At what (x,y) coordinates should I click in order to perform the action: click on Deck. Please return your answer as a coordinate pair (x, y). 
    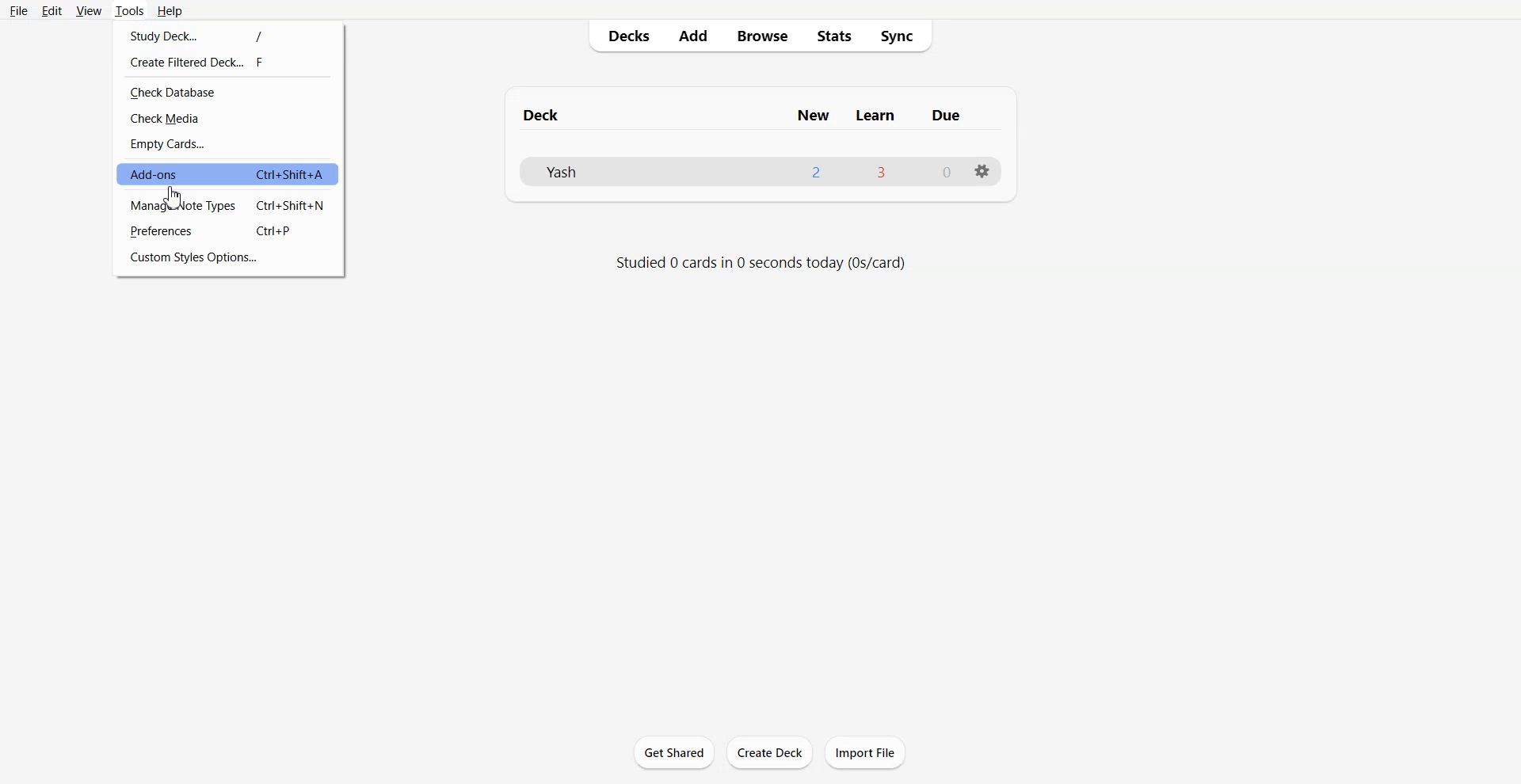
    Looking at the image, I should click on (544, 115).